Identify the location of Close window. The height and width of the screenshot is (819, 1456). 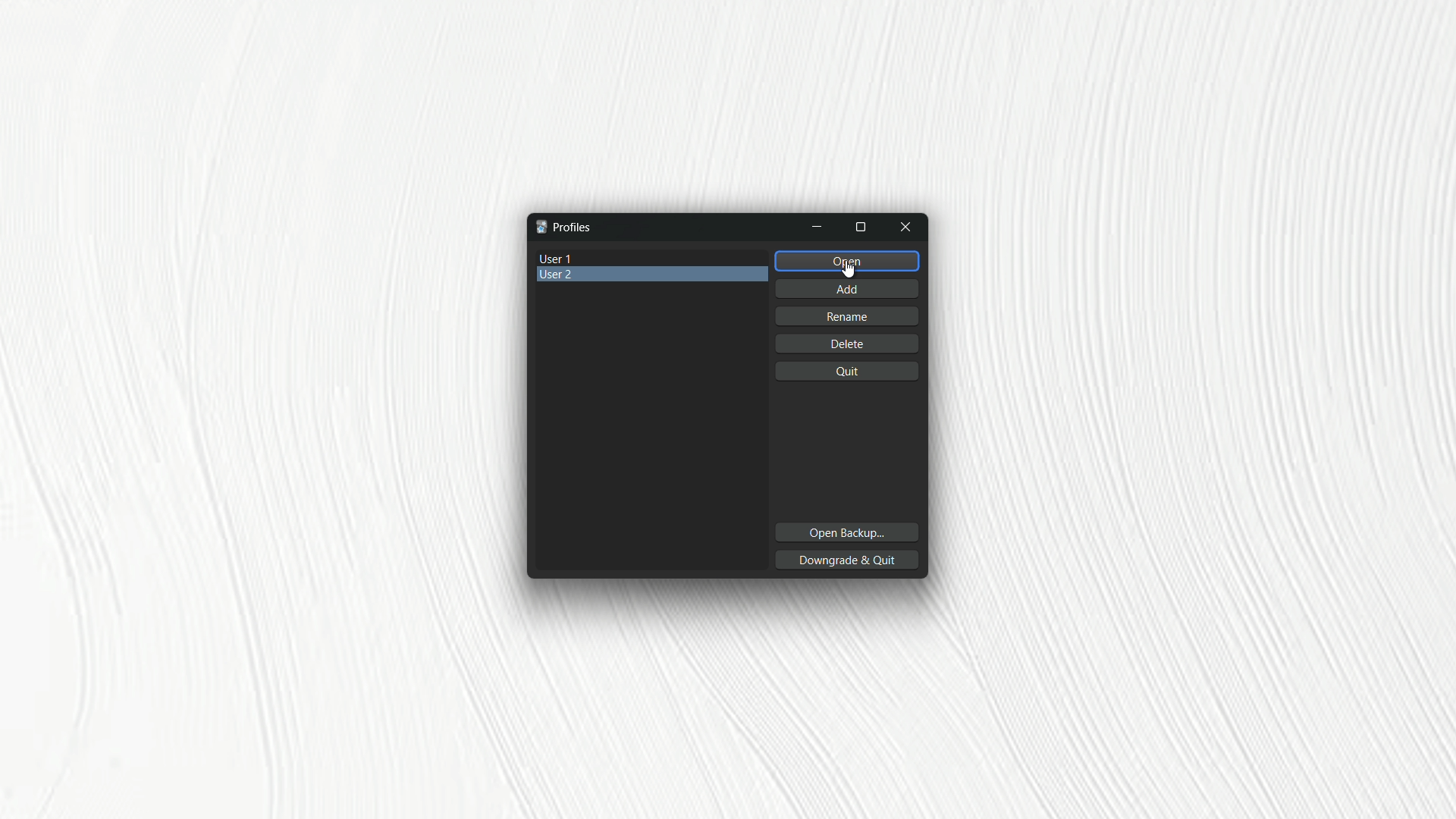
(907, 227).